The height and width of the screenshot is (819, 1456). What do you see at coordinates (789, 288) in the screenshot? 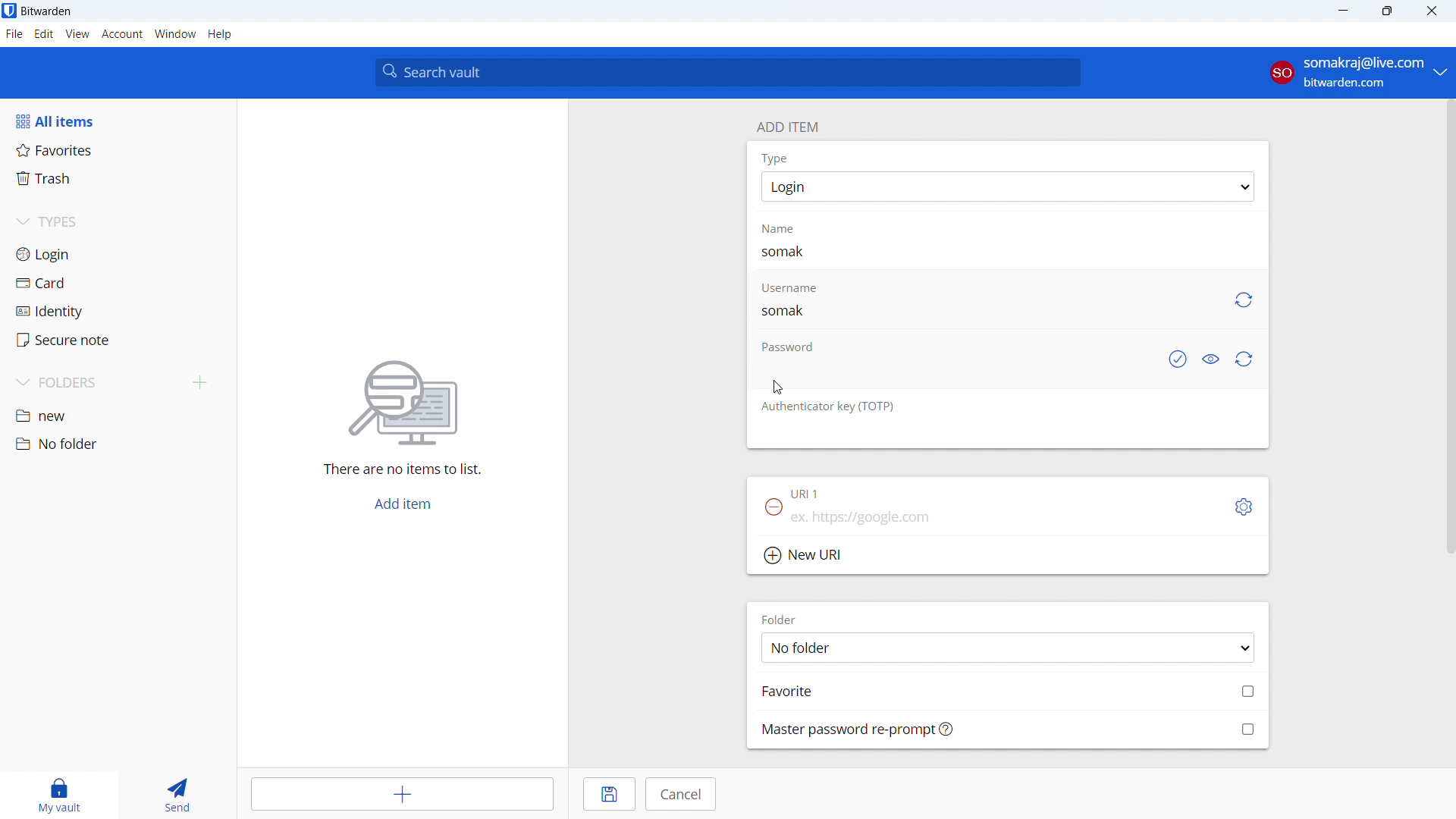
I see `Username` at bounding box center [789, 288].